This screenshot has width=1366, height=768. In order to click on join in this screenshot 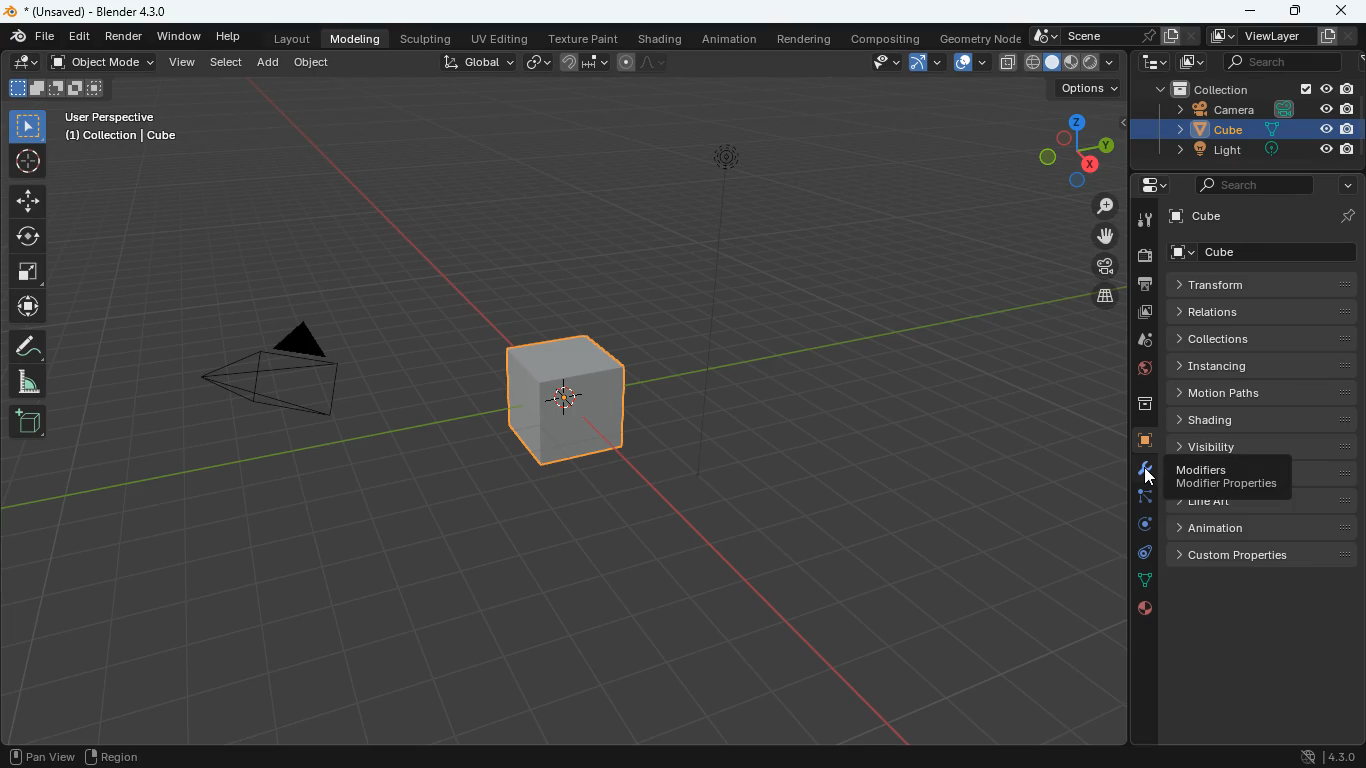, I will do `click(579, 61)`.